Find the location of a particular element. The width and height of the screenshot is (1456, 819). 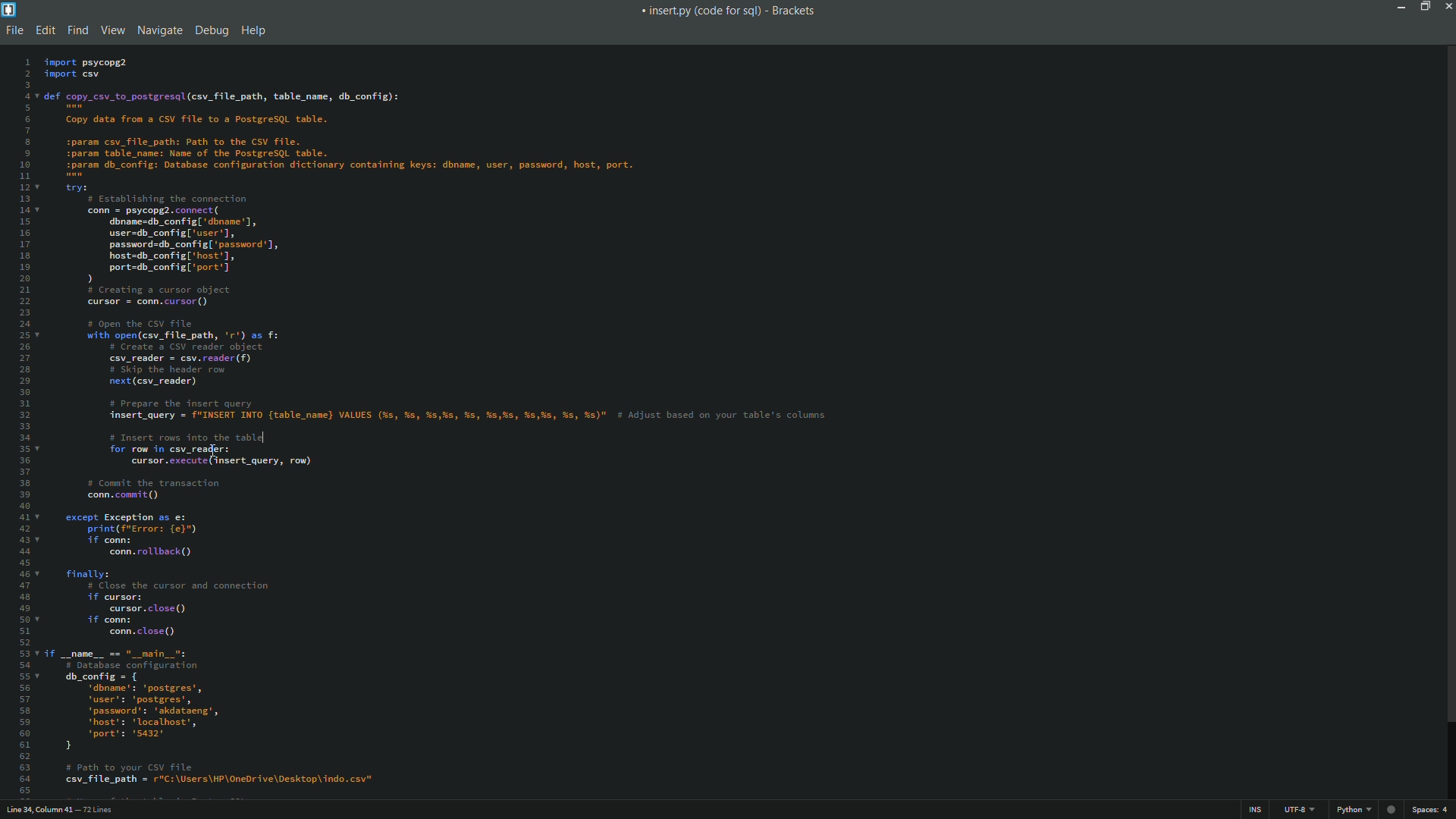

find menu is located at coordinates (78, 30).